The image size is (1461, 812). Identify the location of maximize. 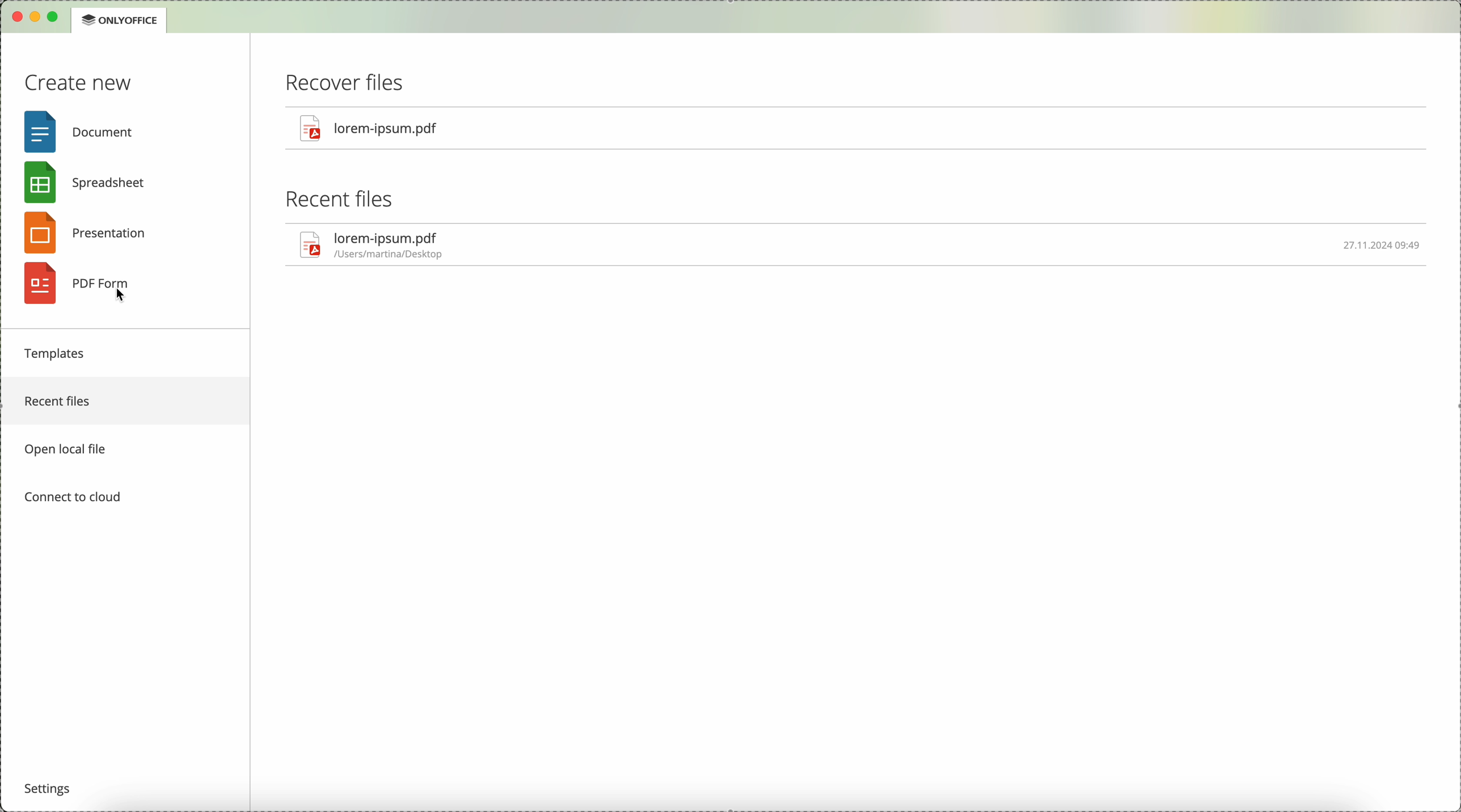
(57, 16).